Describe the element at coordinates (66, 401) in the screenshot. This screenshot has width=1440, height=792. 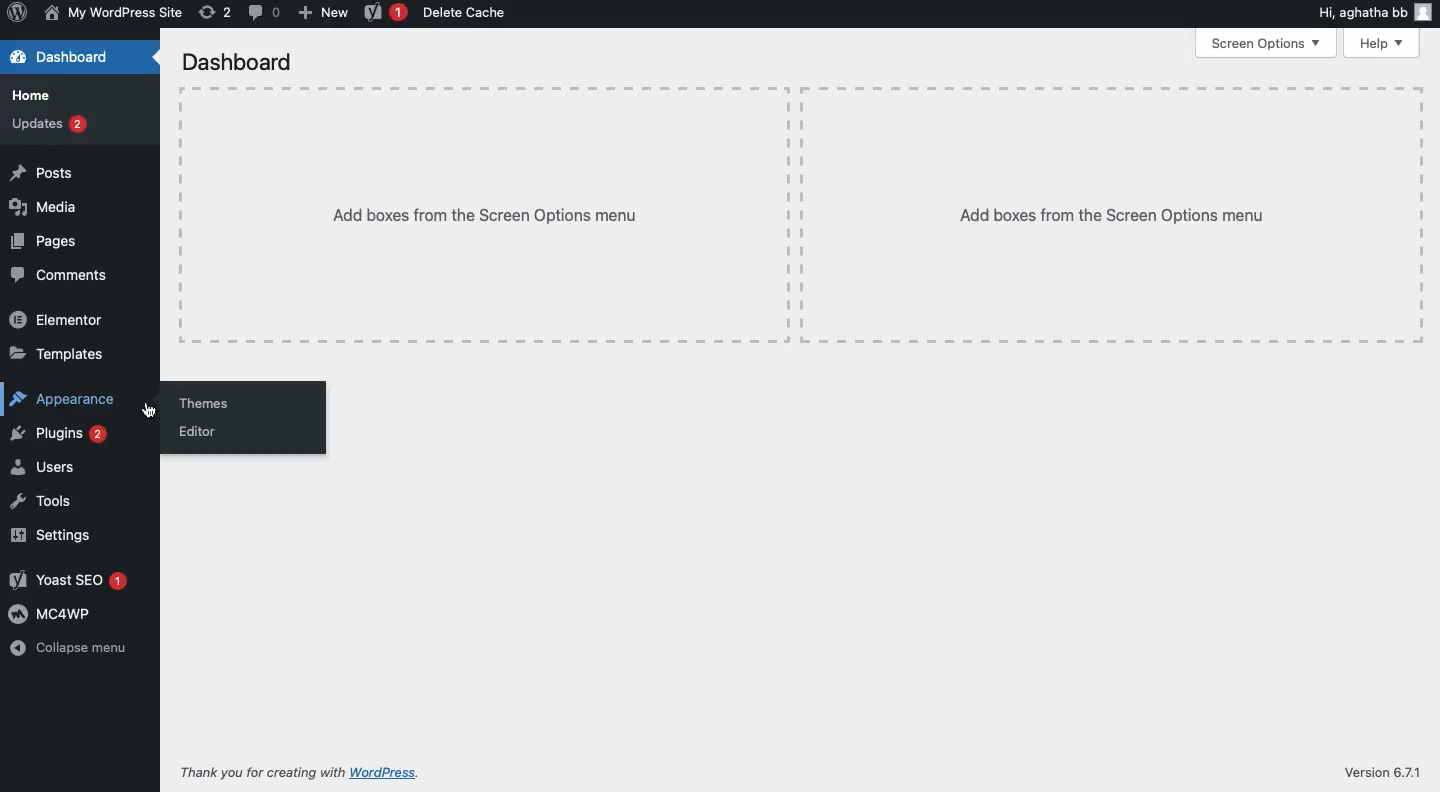
I see `Appearance` at that location.